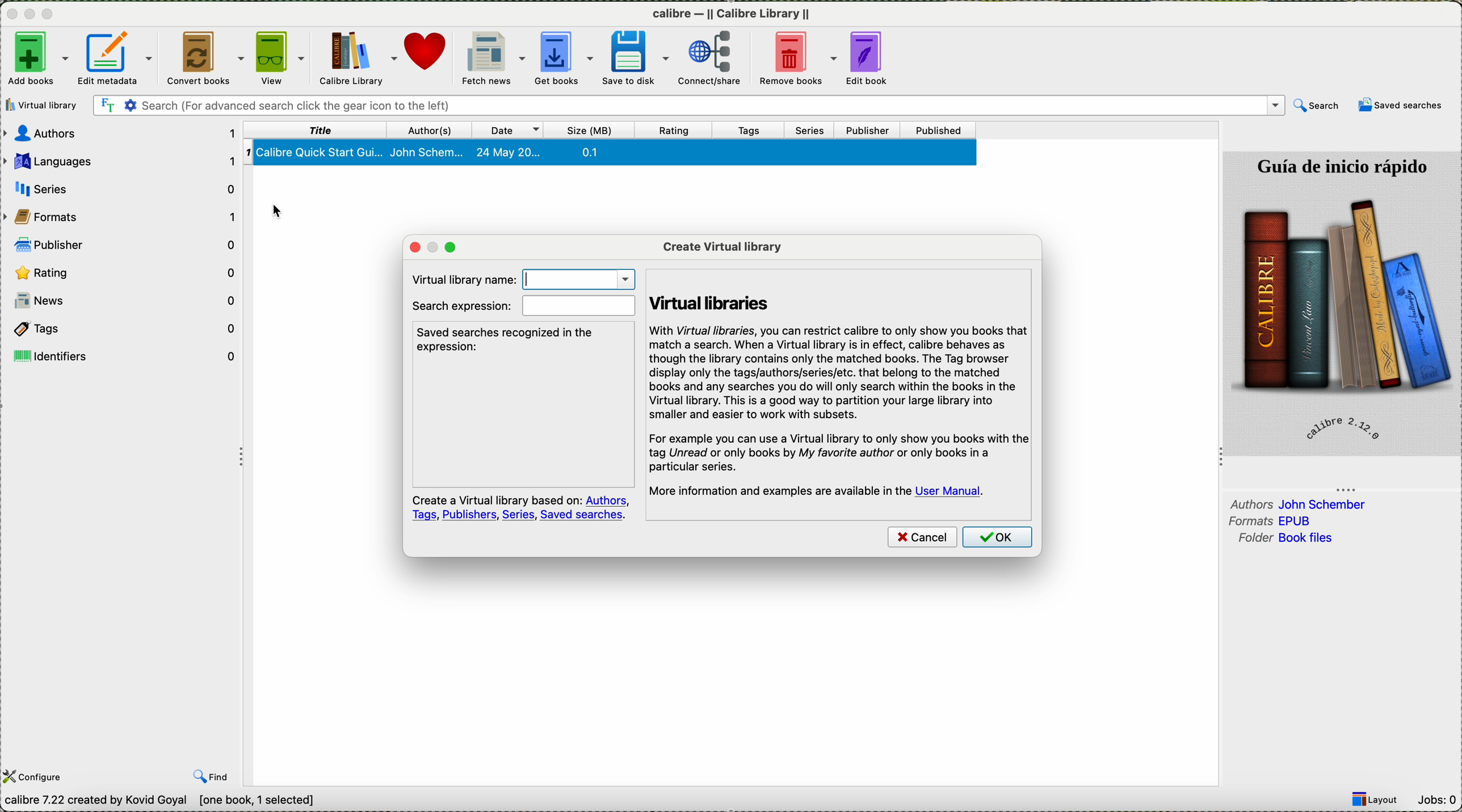  What do you see at coordinates (36, 776) in the screenshot?
I see `configure` at bounding box center [36, 776].